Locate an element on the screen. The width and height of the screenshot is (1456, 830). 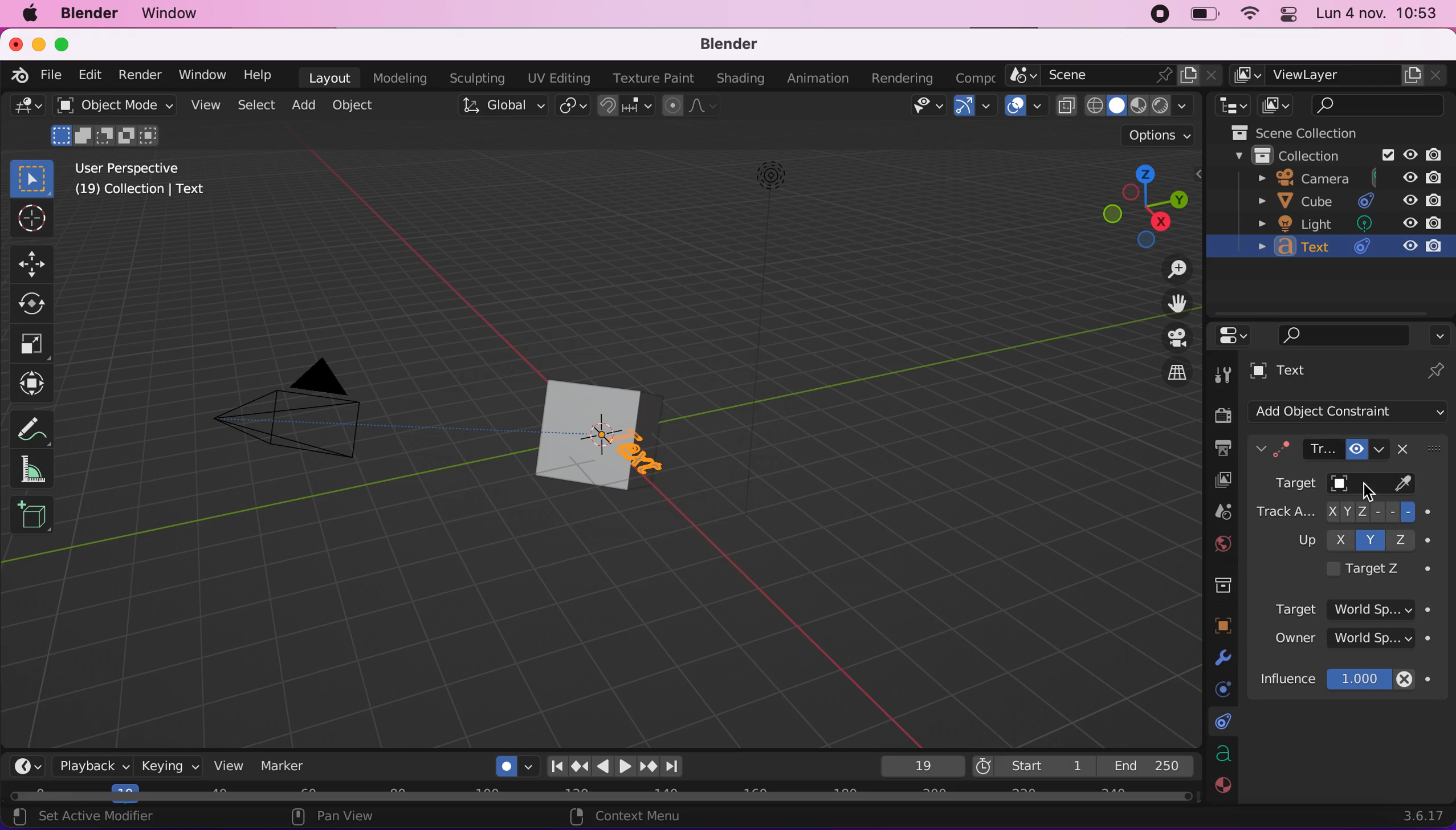
lun 4 nov. 10:53 is located at coordinates (1378, 15).